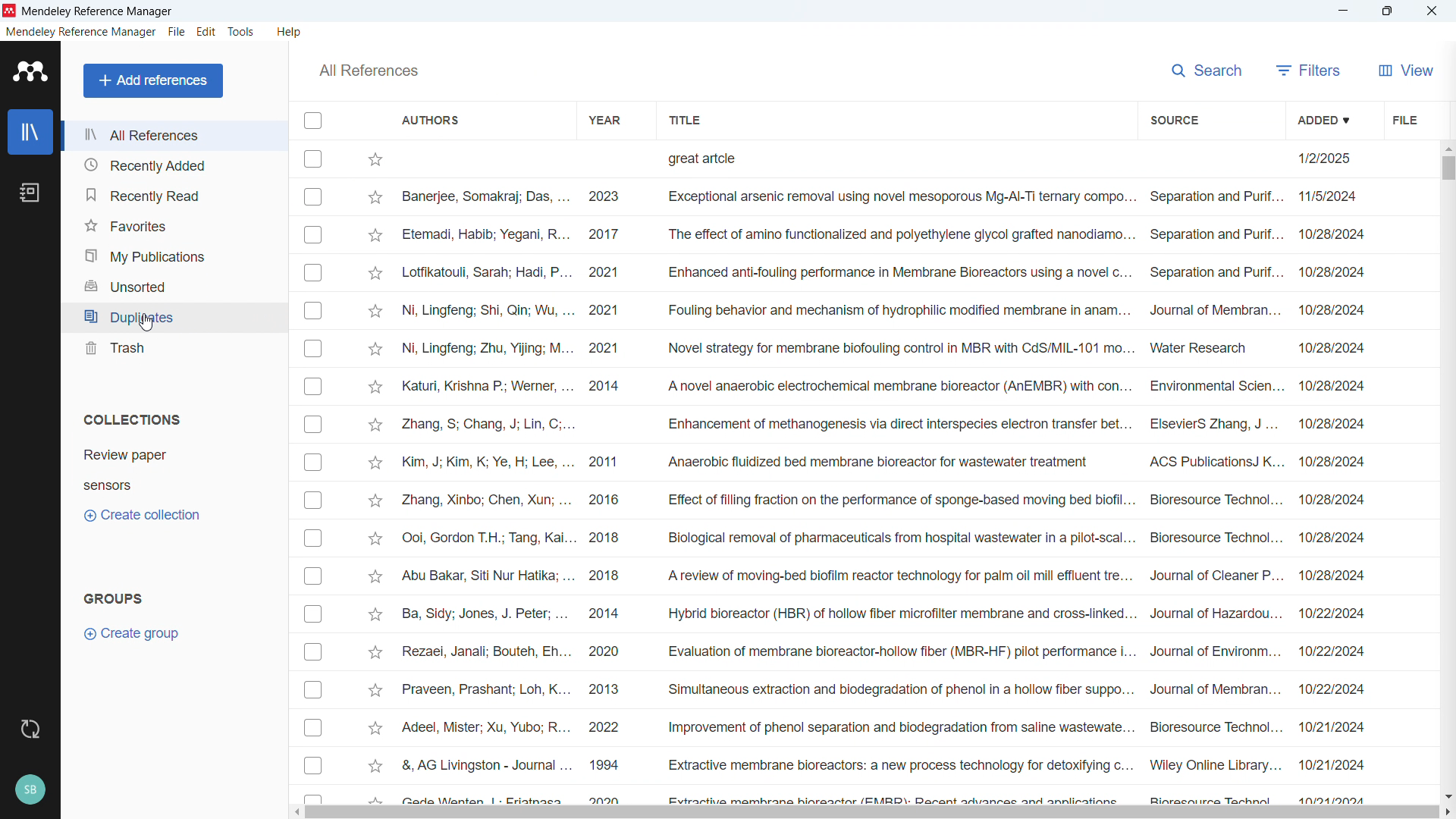 Image resolution: width=1456 pixels, height=819 pixels. What do you see at coordinates (11, 11) in the screenshot?
I see `Logo ` at bounding box center [11, 11].